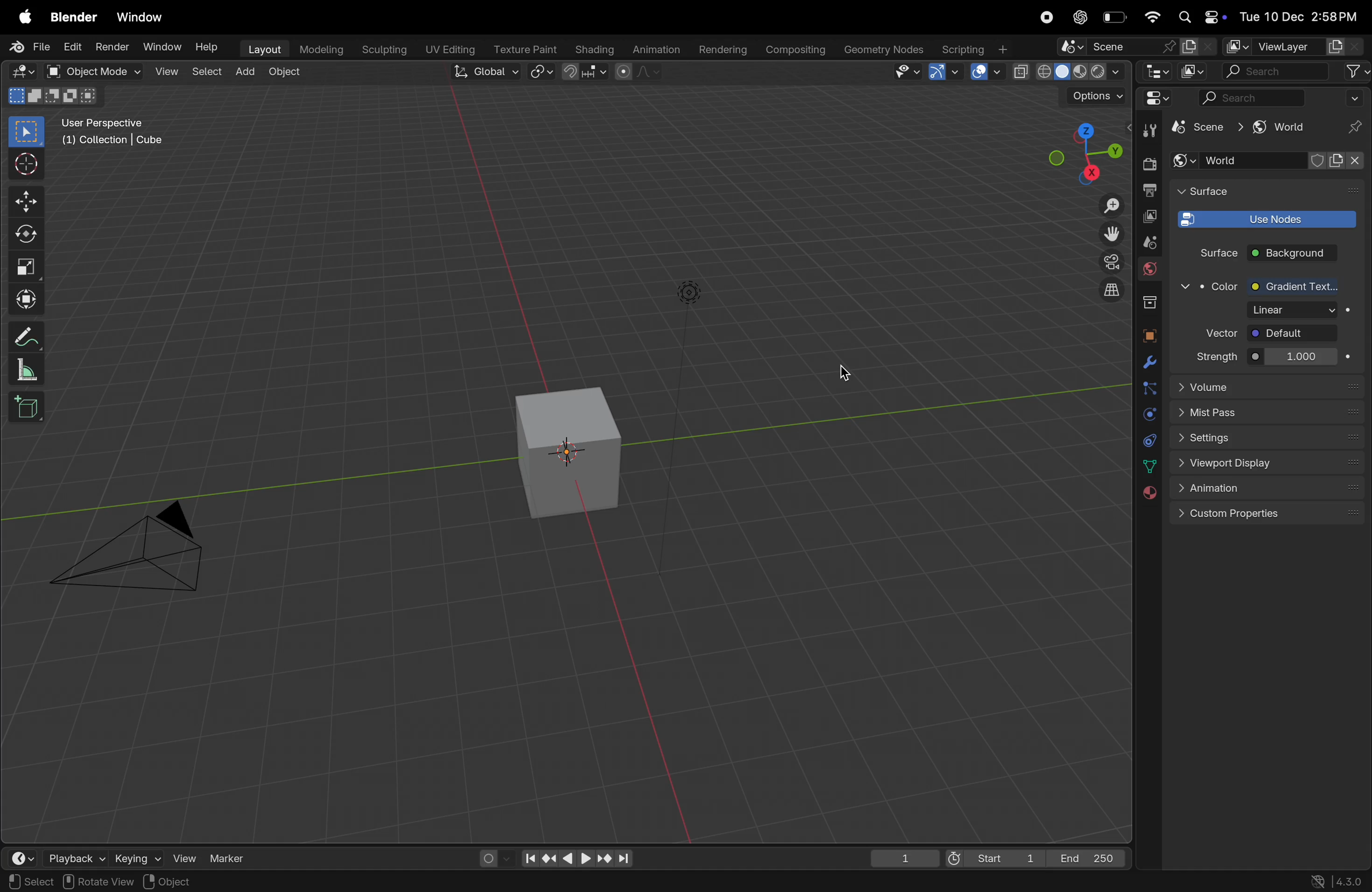 This screenshot has width=1372, height=892. Describe the element at coordinates (1149, 217) in the screenshot. I see `copy` at that location.